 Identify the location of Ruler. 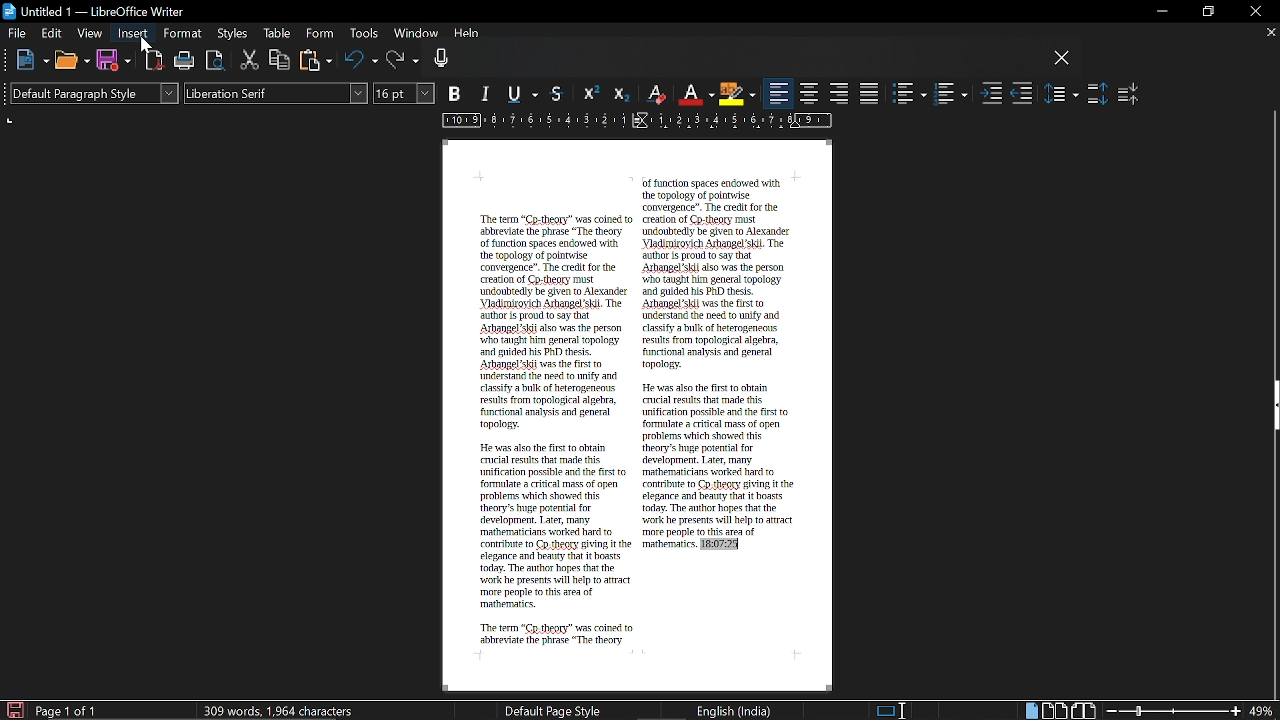
(633, 122).